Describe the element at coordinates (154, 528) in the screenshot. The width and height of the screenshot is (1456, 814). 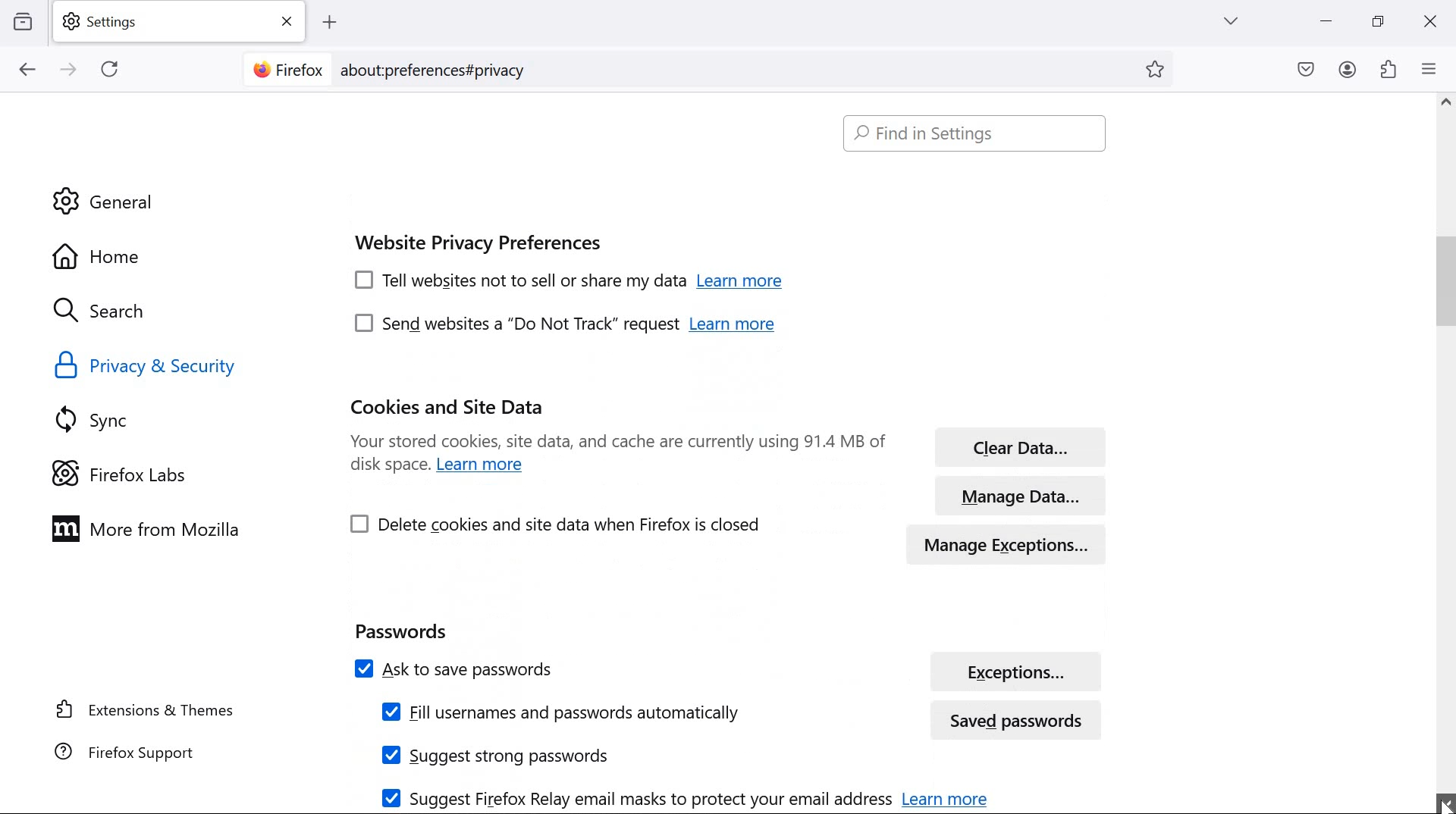
I see `more from Mozilla` at that location.